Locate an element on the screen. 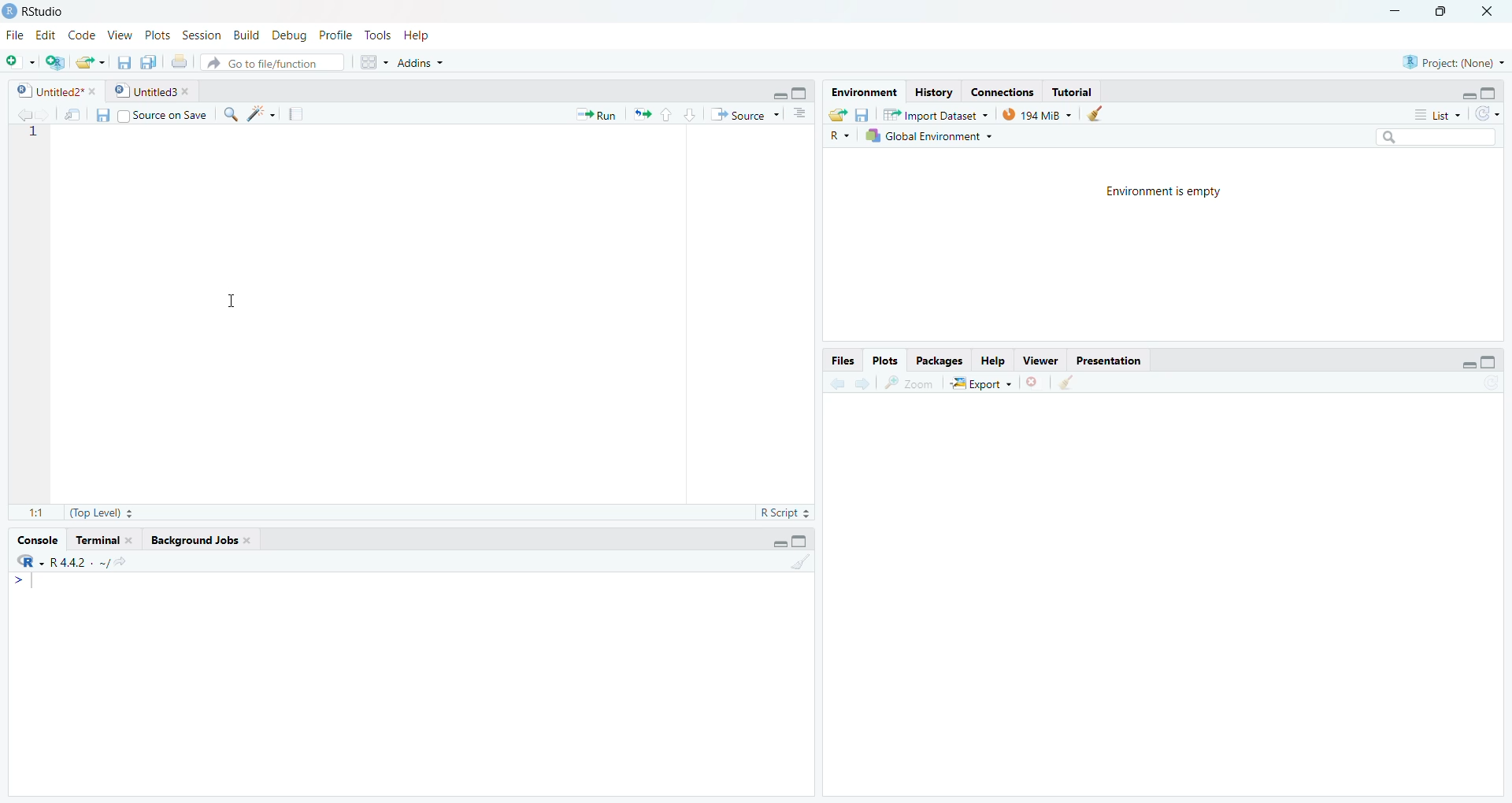  Minimize is located at coordinates (778, 95).